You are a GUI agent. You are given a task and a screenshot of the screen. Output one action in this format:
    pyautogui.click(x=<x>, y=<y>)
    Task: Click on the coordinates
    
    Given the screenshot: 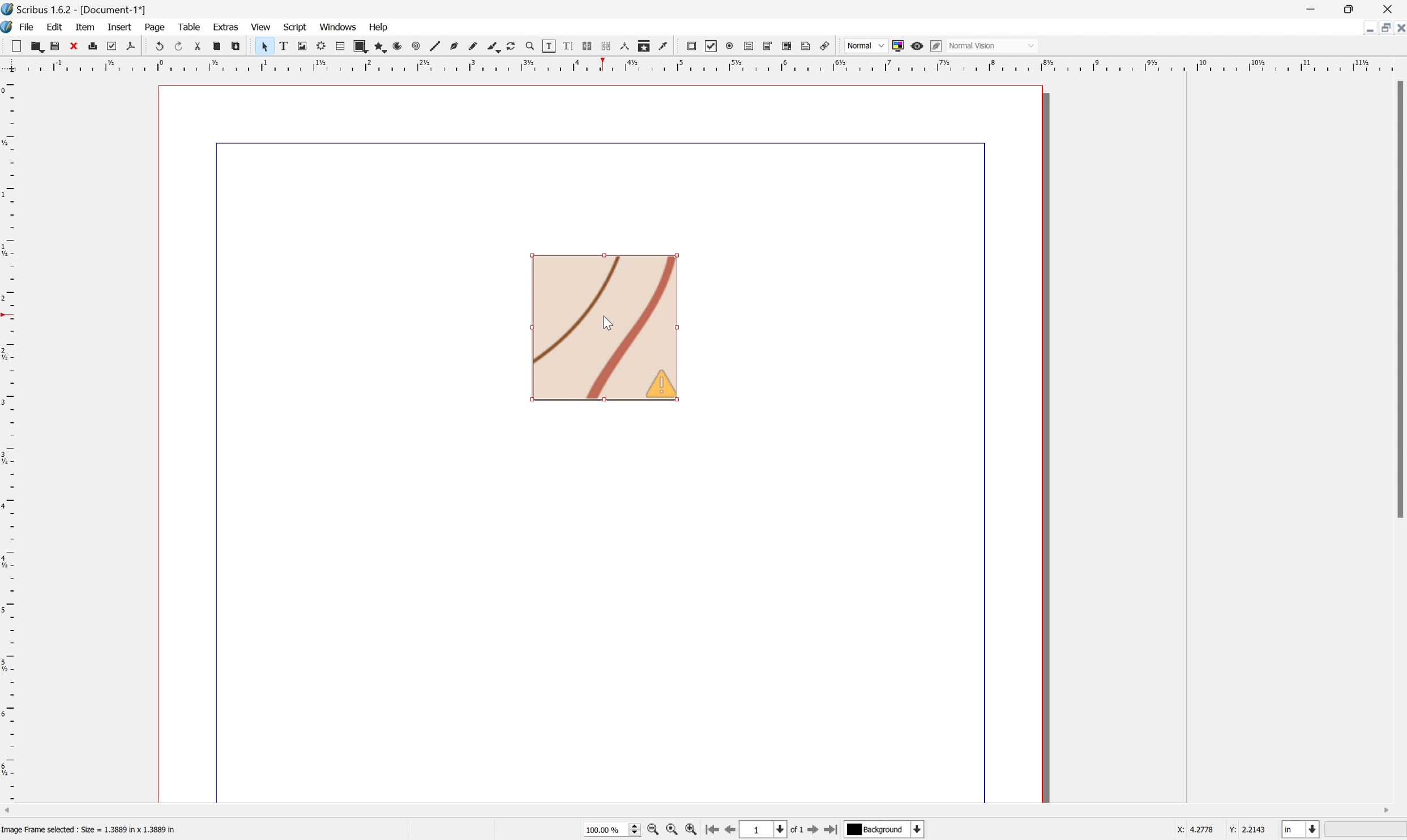 What is the action you would take?
    pyautogui.click(x=1221, y=832)
    